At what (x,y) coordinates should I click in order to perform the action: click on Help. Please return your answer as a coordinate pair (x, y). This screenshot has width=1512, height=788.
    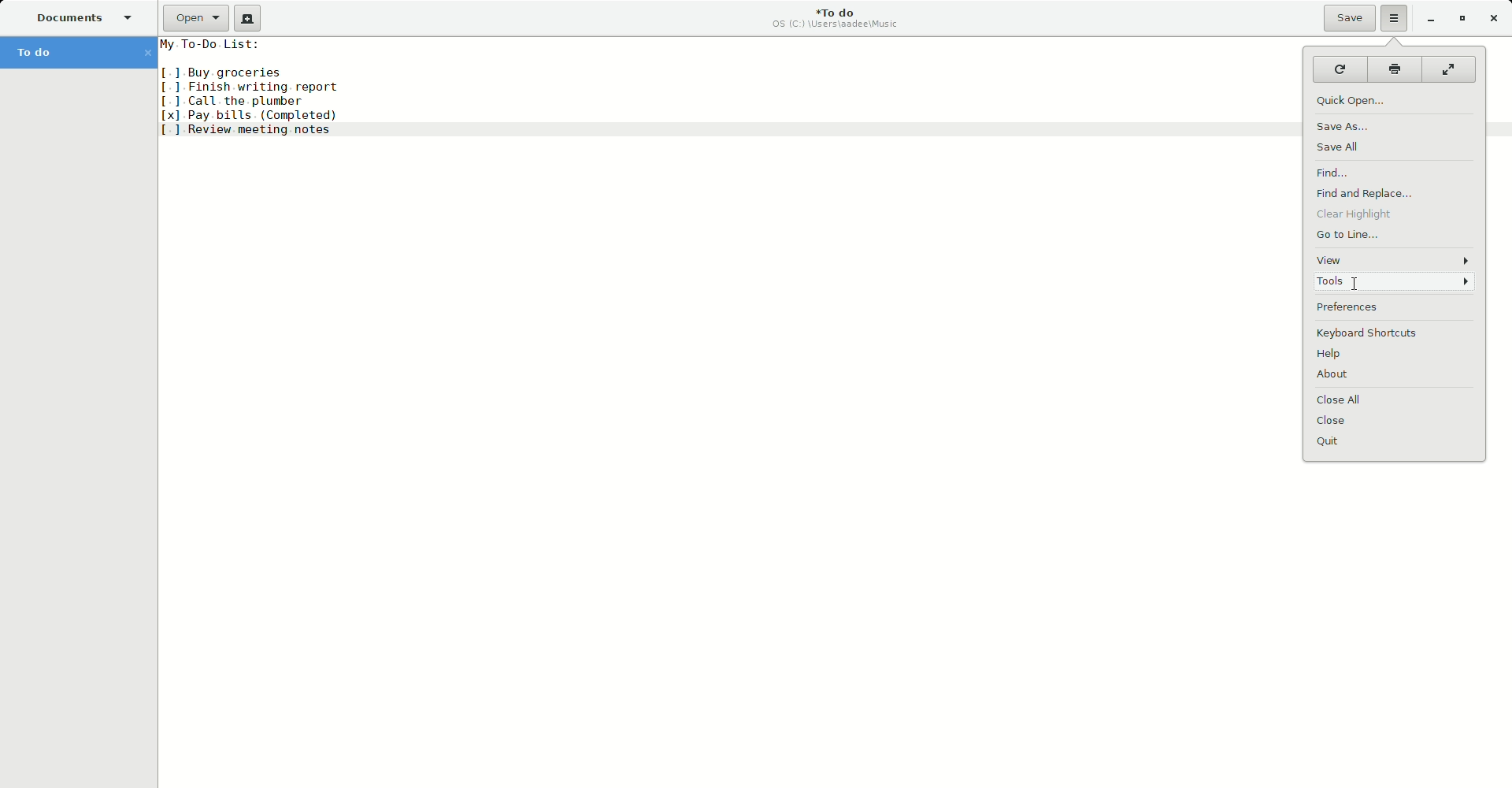
    Looking at the image, I should click on (1332, 355).